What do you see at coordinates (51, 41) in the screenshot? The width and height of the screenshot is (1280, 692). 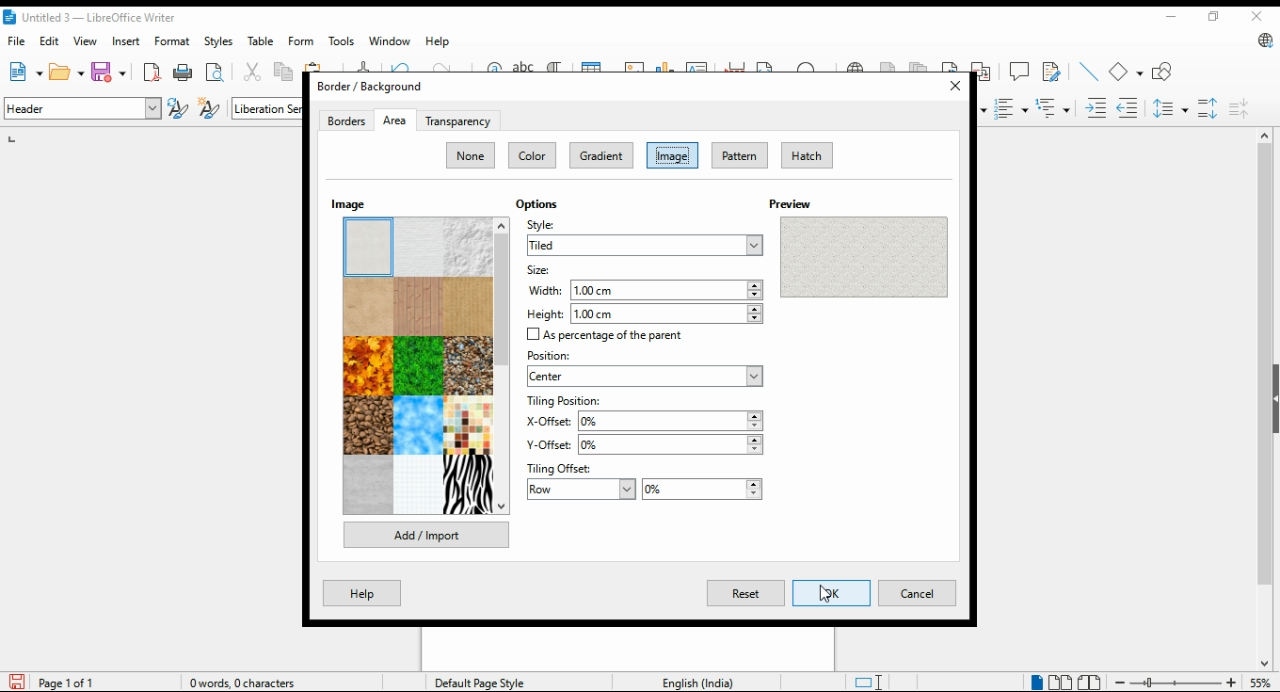 I see `dit` at bounding box center [51, 41].